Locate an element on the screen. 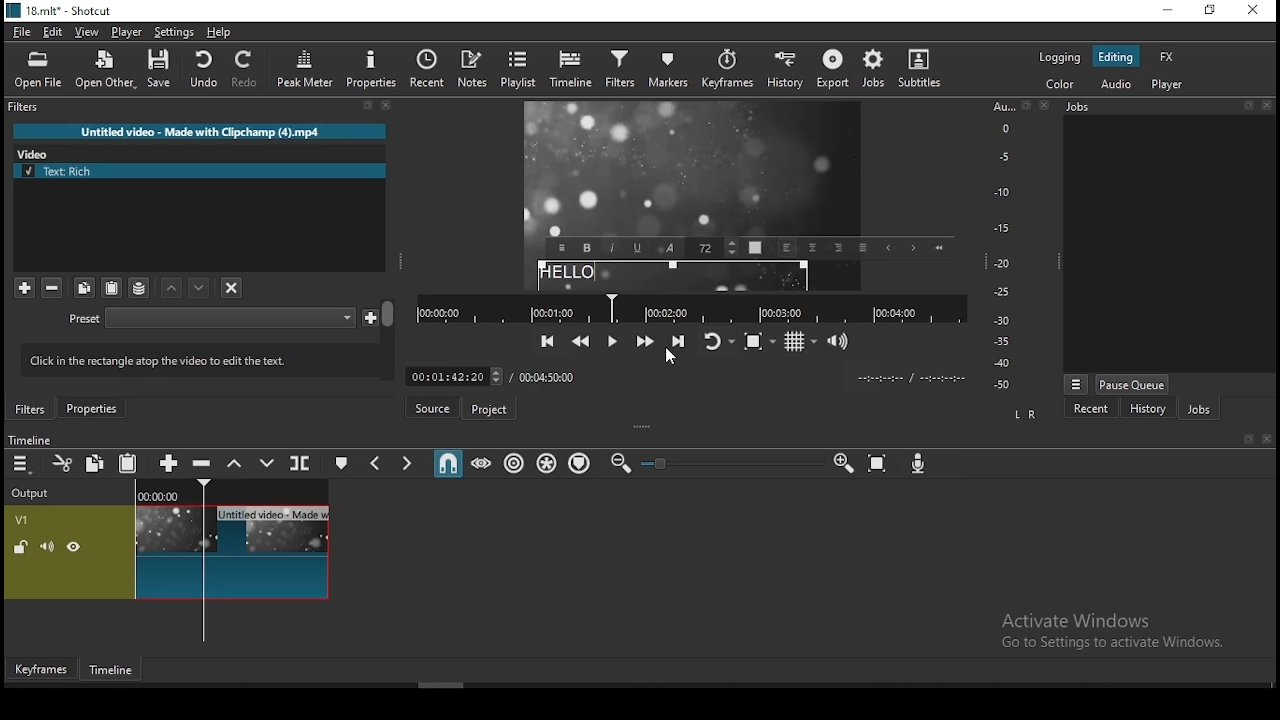  Frame Time is located at coordinates (454, 375).